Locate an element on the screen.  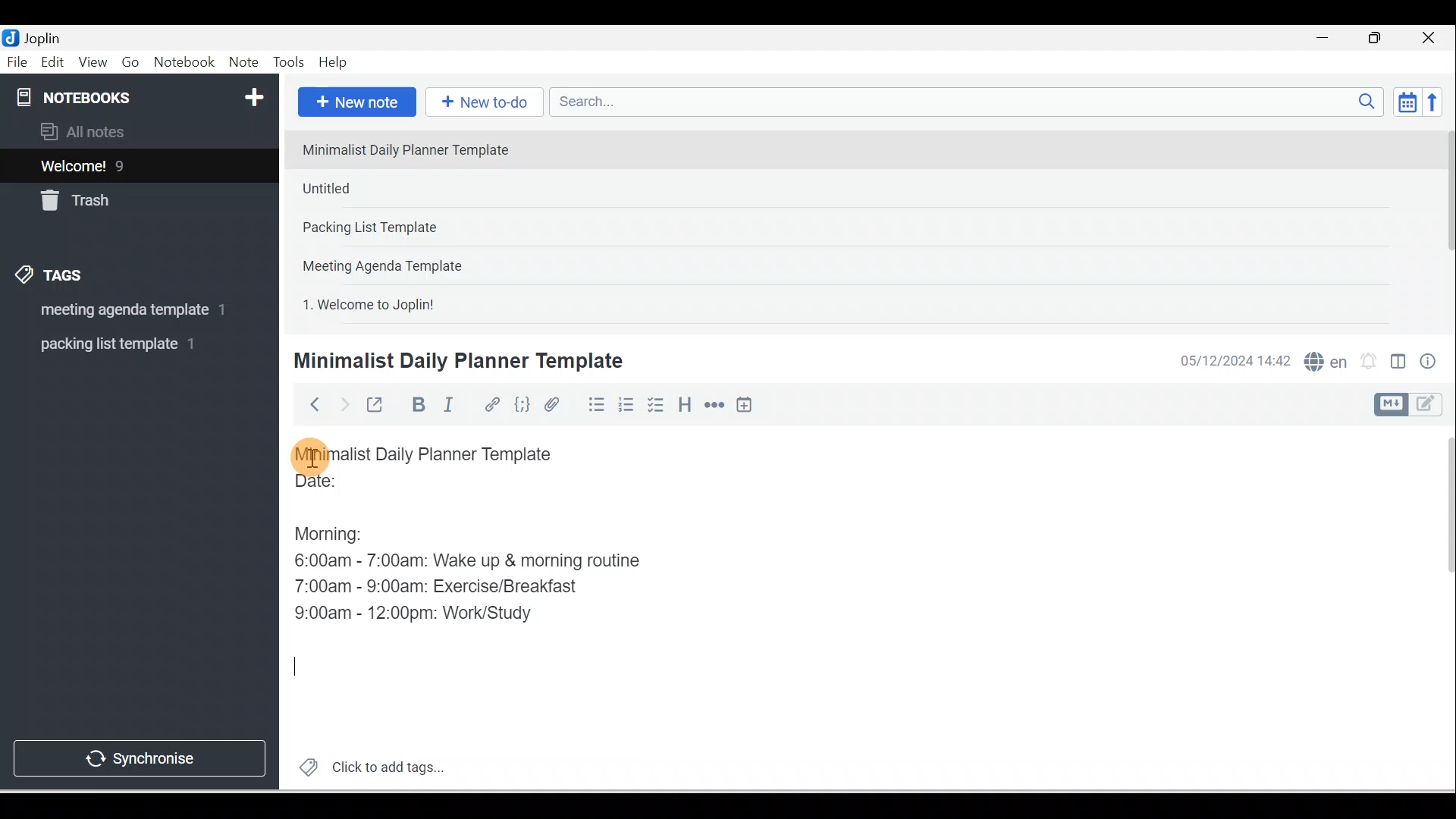
Bulleted list is located at coordinates (593, 404).